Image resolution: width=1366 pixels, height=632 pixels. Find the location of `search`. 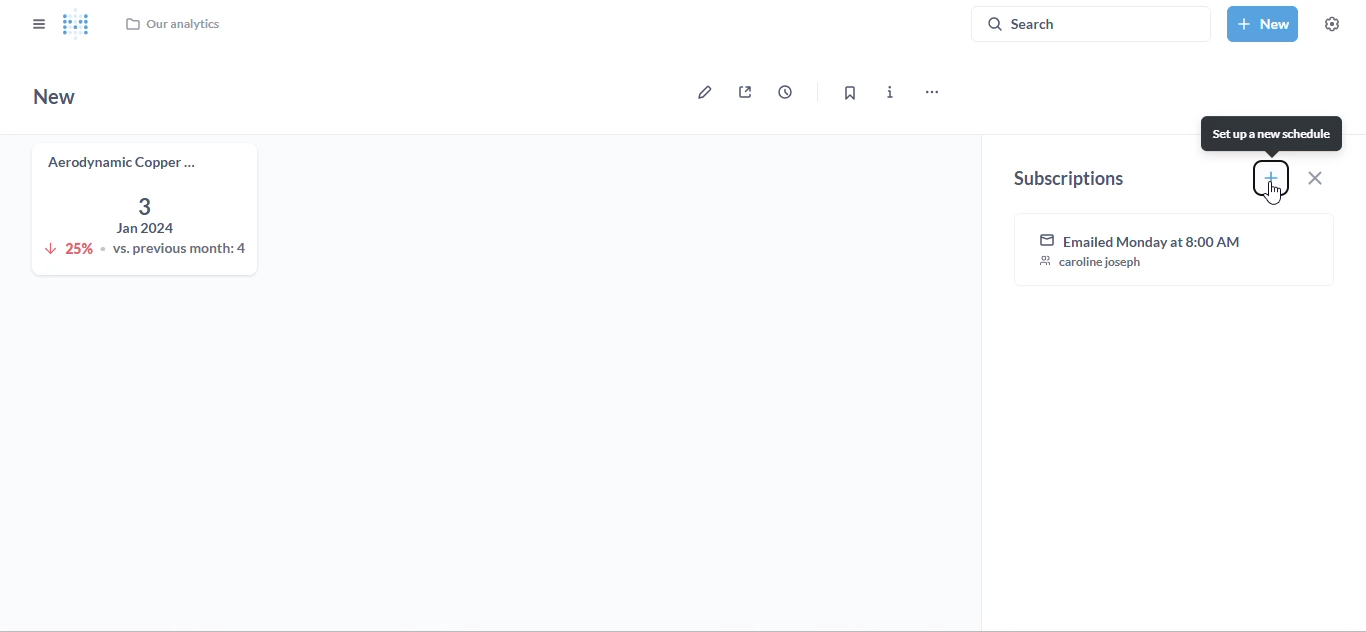

search is located at coordinates (1091, 23).